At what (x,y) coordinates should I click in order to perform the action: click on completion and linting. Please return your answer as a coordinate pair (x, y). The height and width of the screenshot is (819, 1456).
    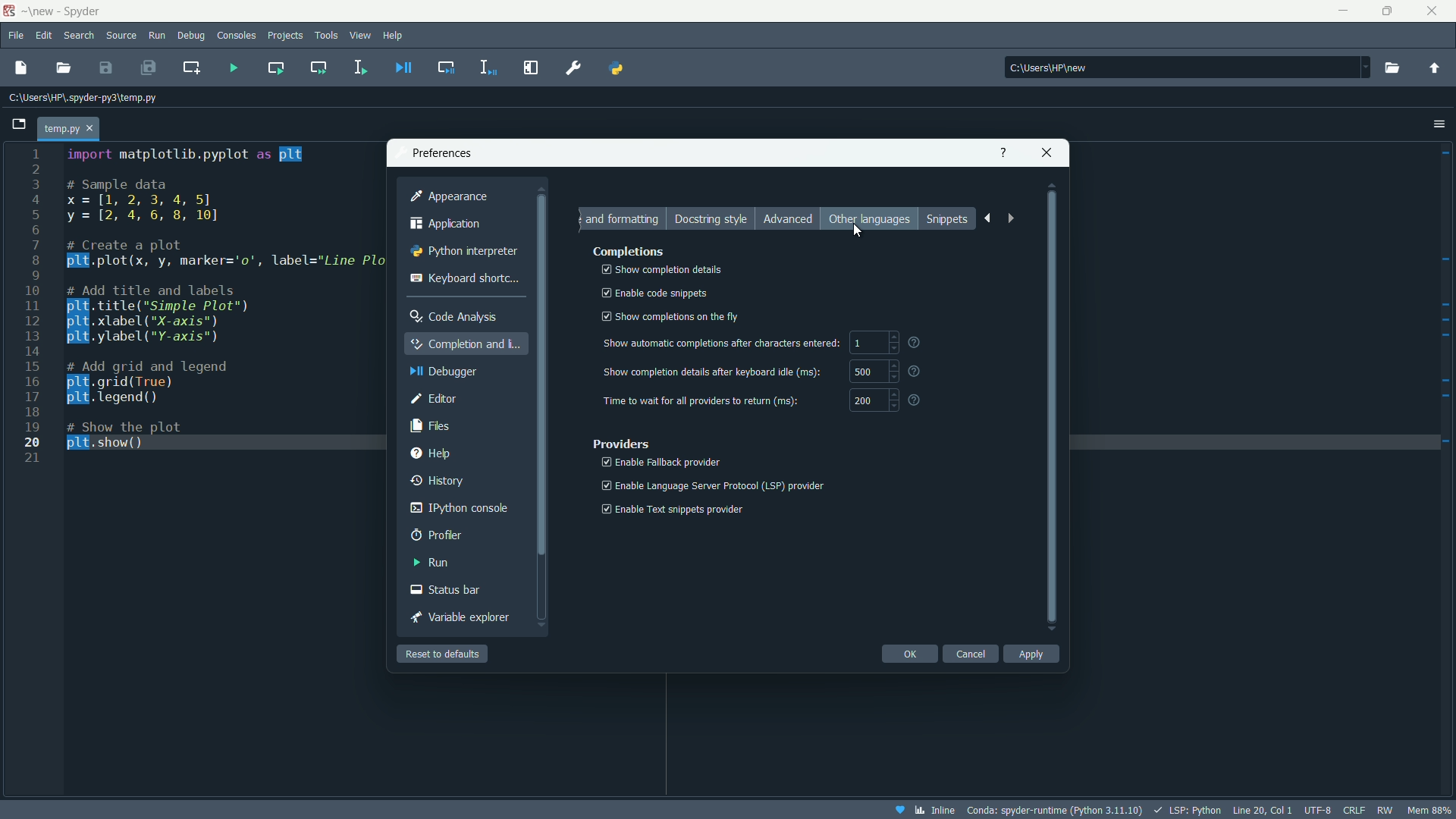
    Looking at the image, I should click on (468, 343).